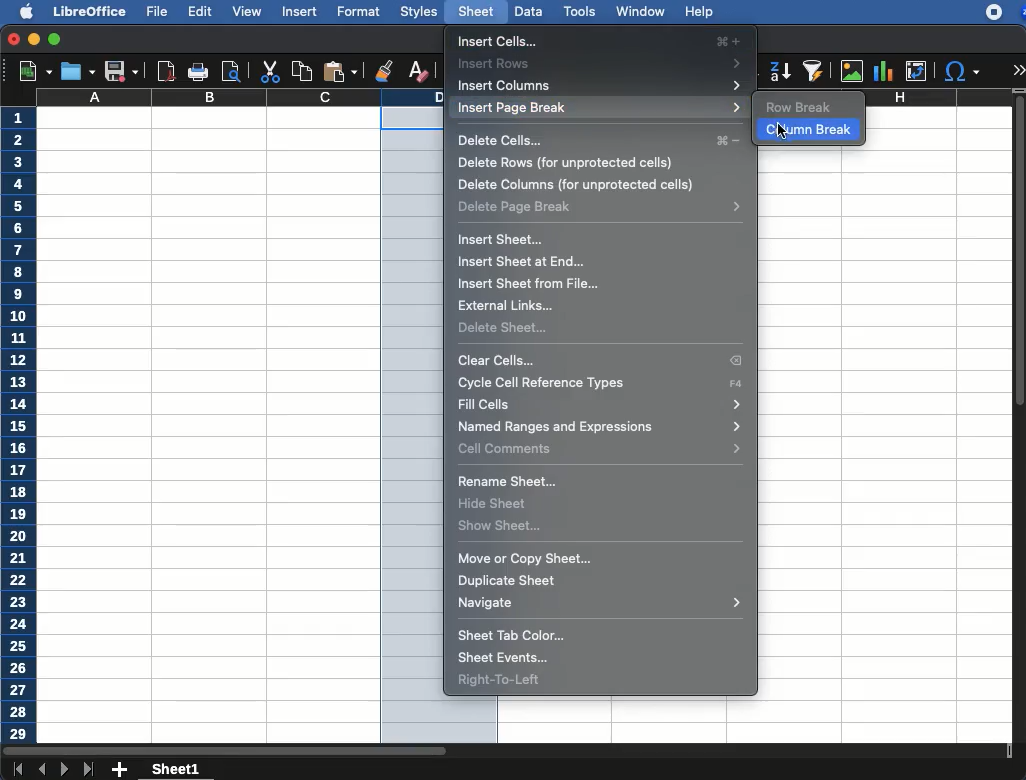  I want to click on insert sheet, so click(501, 240).